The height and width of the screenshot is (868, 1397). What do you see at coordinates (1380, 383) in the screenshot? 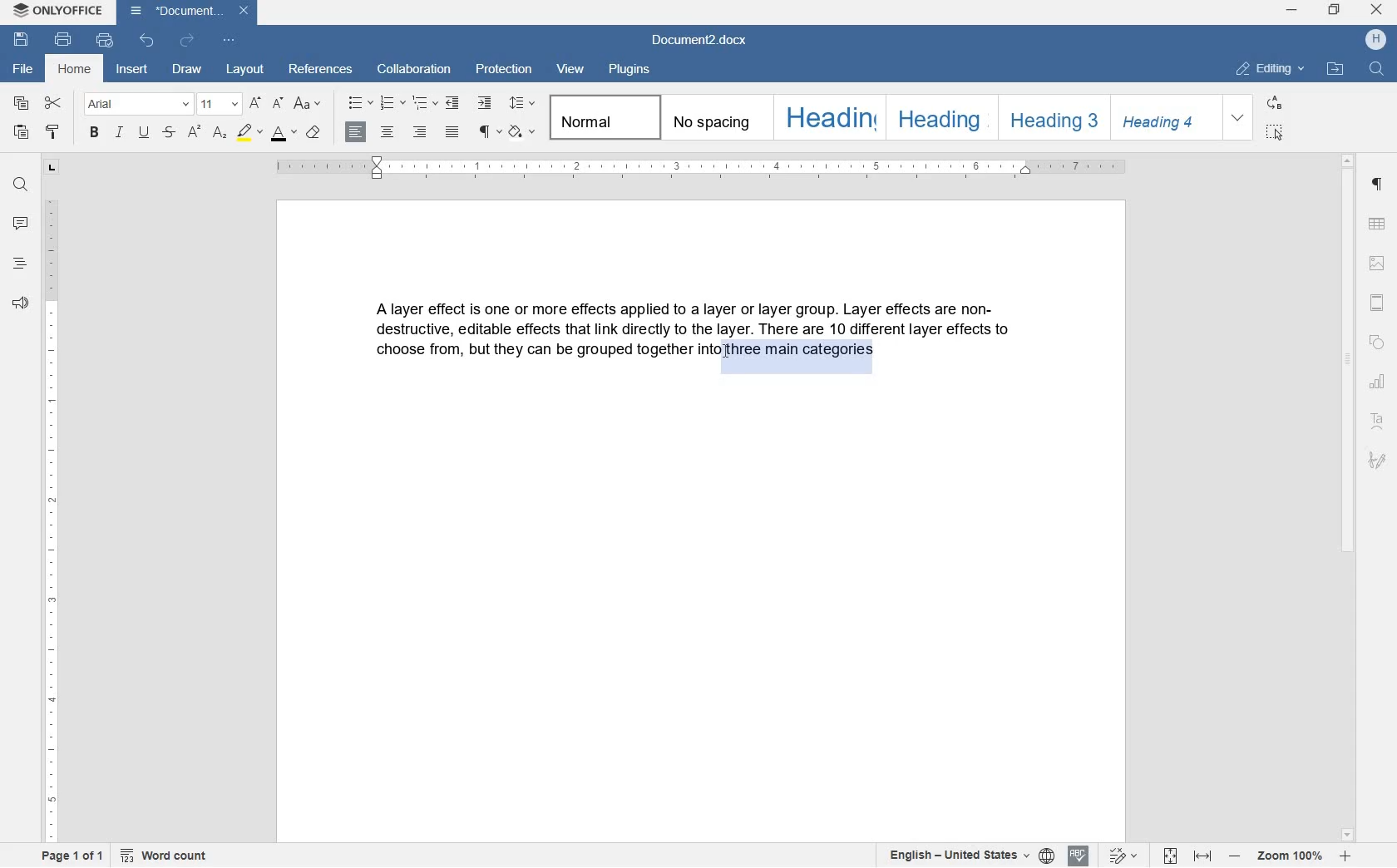
I see `chart ` at bounding box center [1380, 383].